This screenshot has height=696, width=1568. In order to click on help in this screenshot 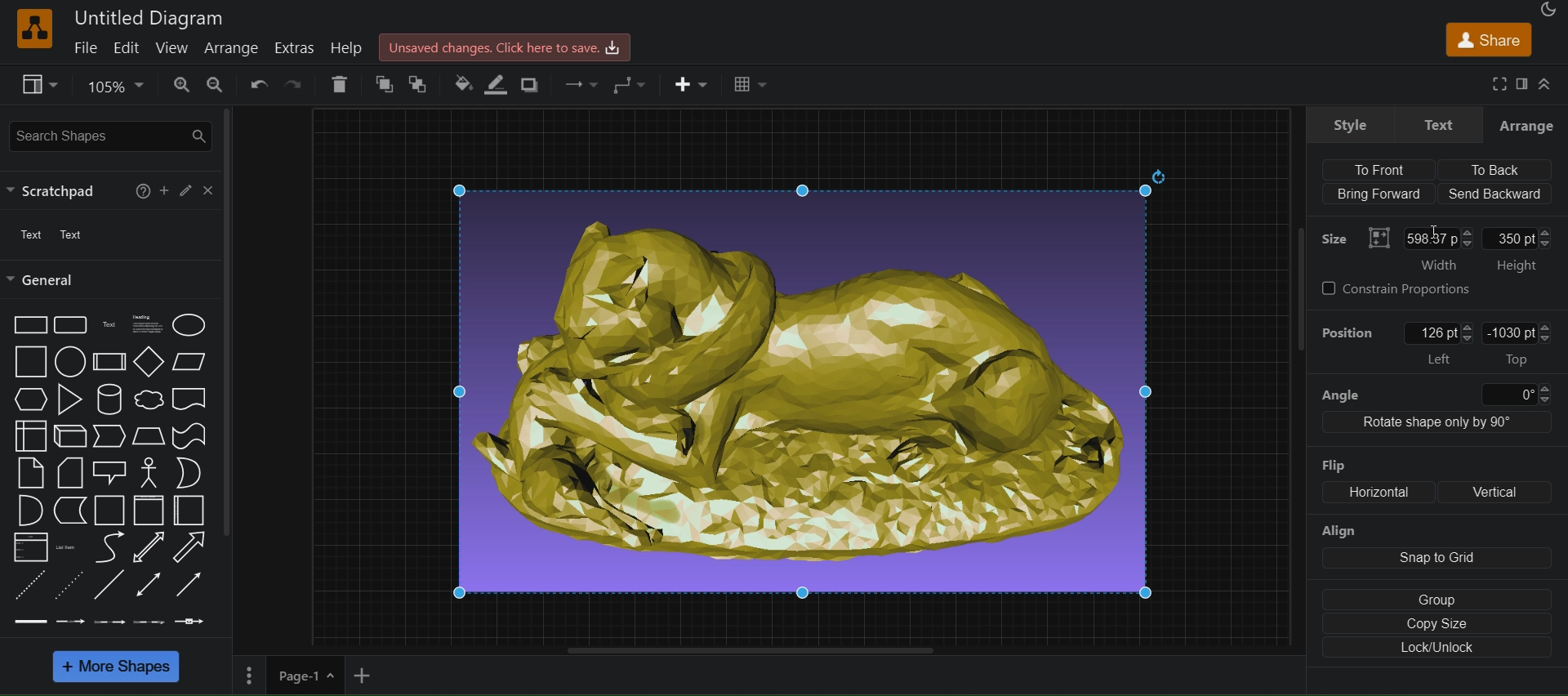, I will do `click(350, 47)`.